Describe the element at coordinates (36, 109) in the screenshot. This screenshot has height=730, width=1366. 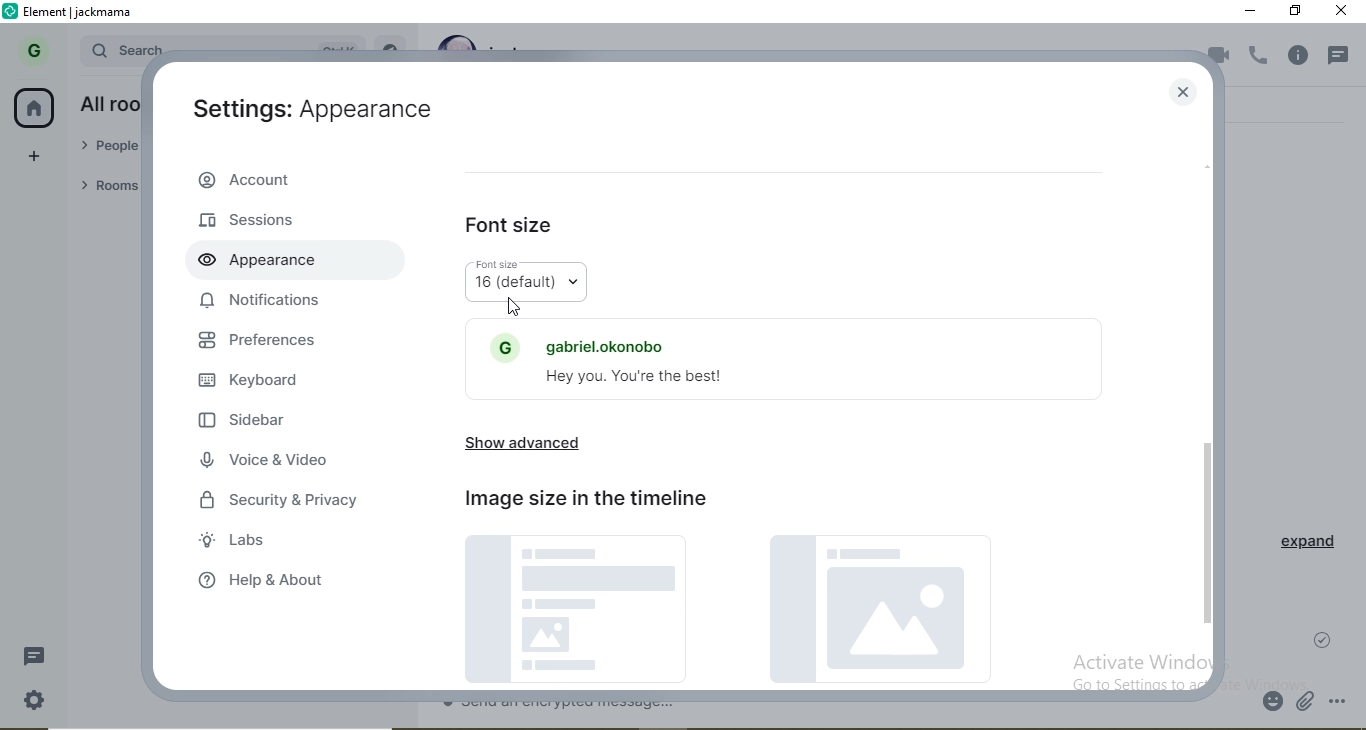
I see `home` at that location.